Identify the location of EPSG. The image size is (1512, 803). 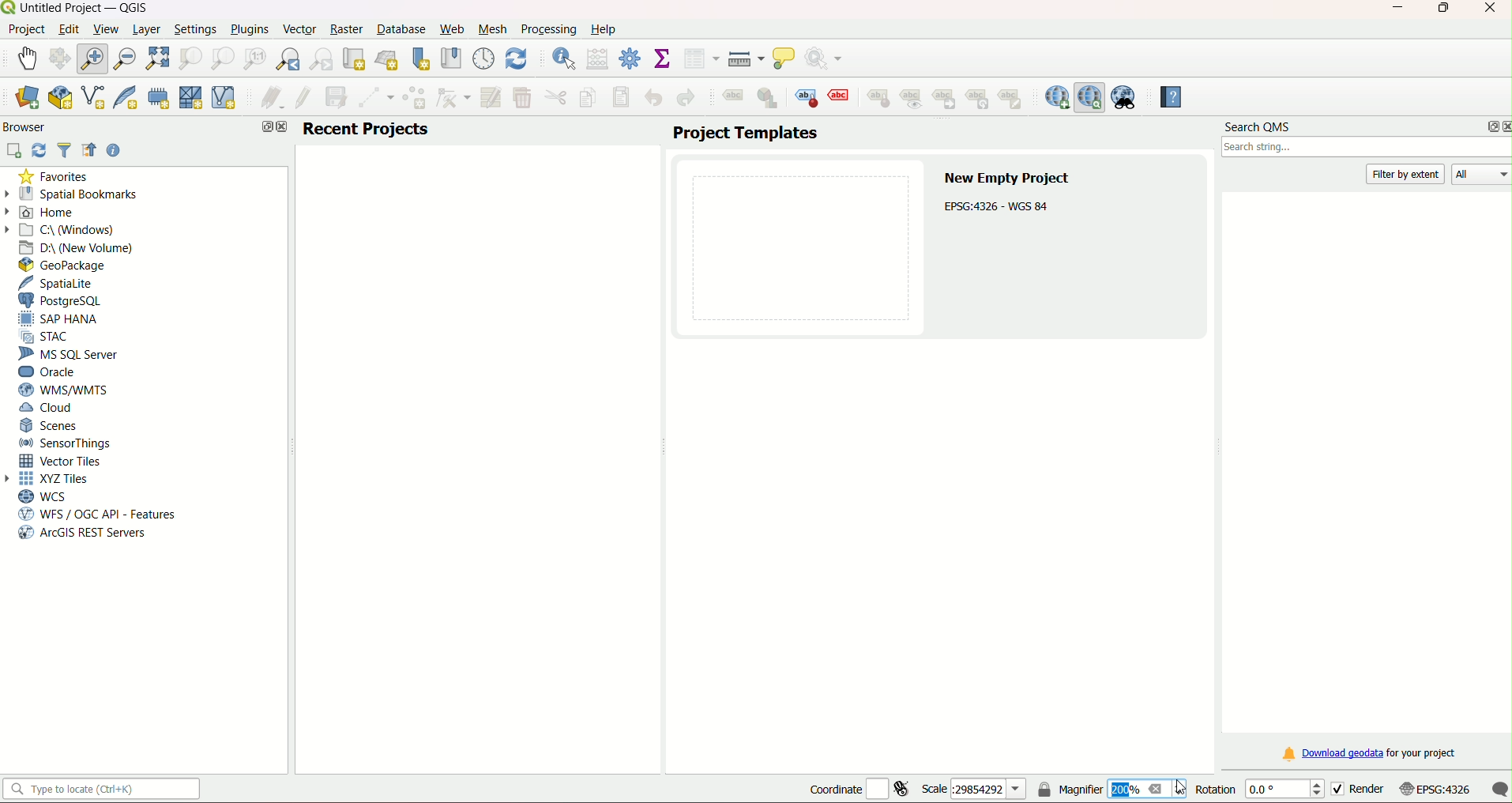
(1435, 790).